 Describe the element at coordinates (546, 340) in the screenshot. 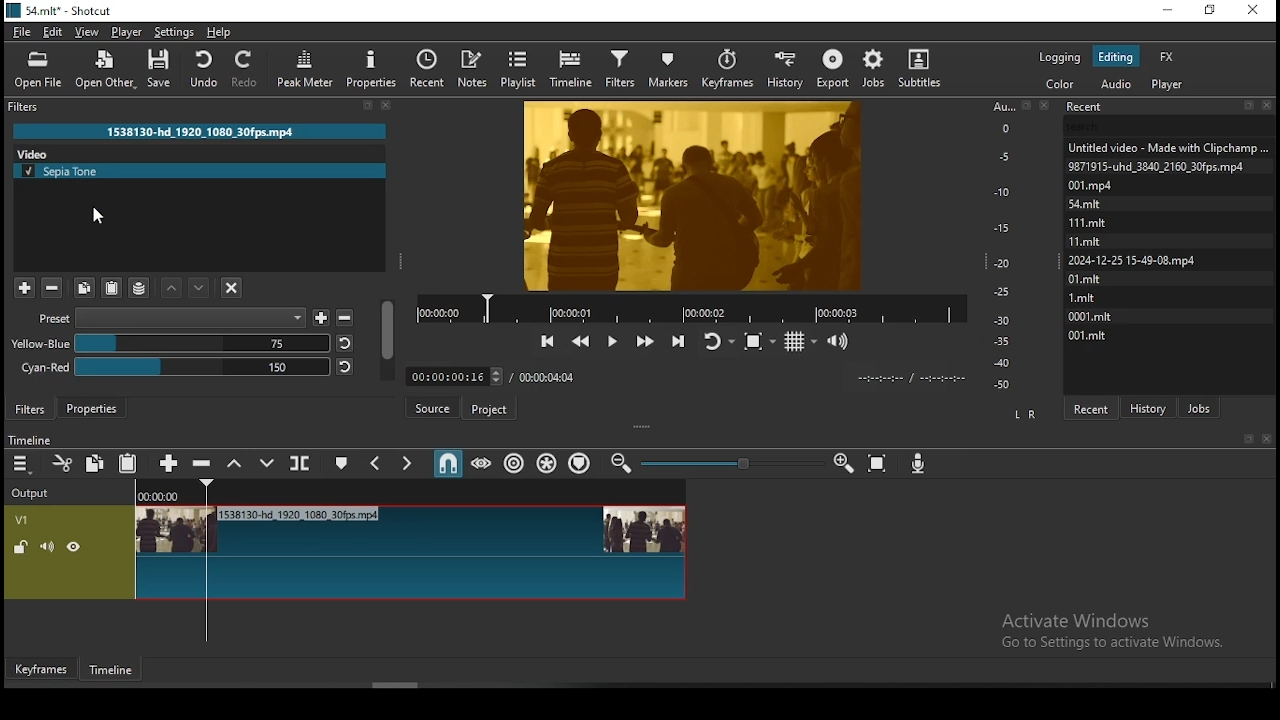

I see `skip to the previous point` at that location.